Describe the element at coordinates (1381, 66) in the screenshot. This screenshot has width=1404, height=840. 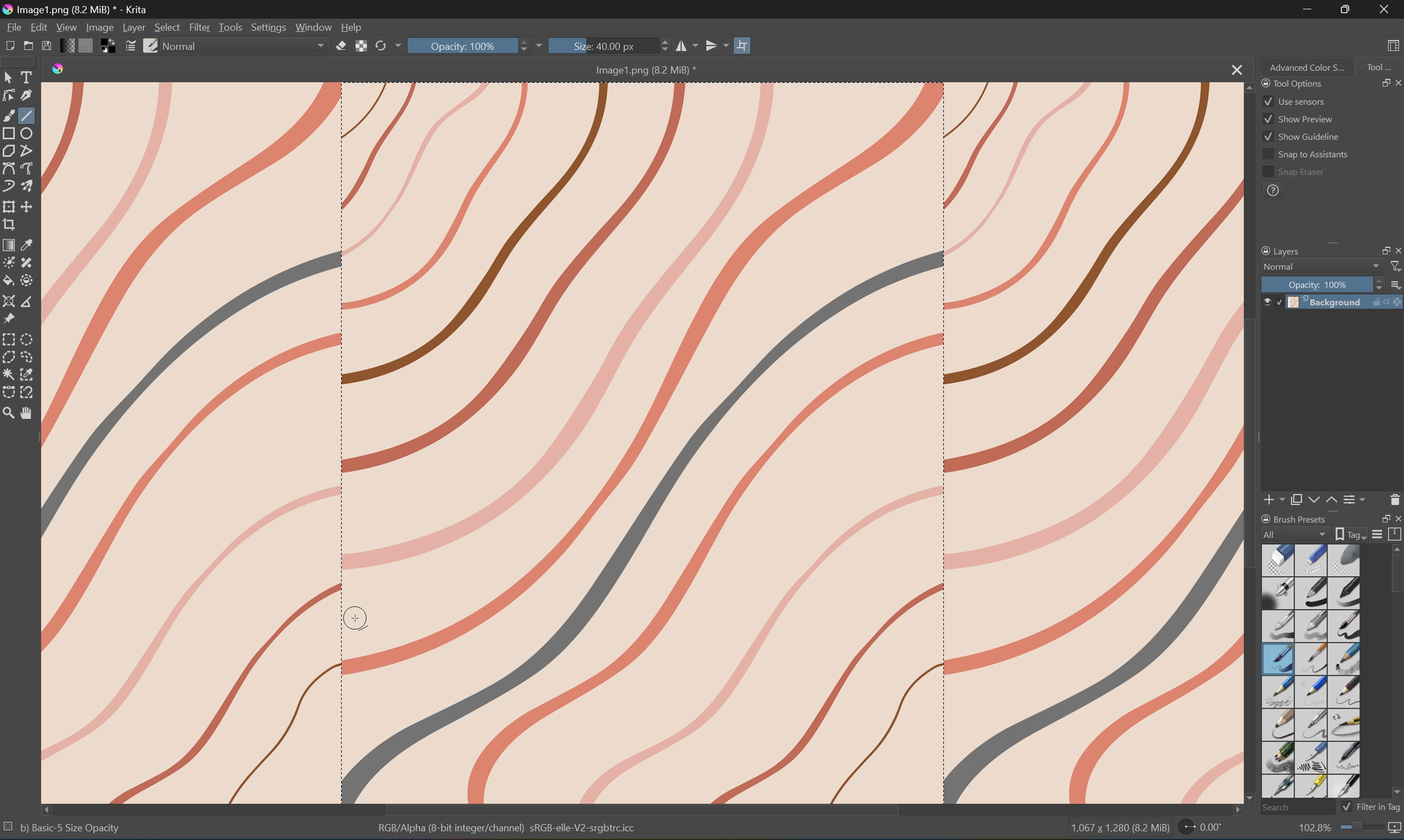
I see `Tool...` at that location.